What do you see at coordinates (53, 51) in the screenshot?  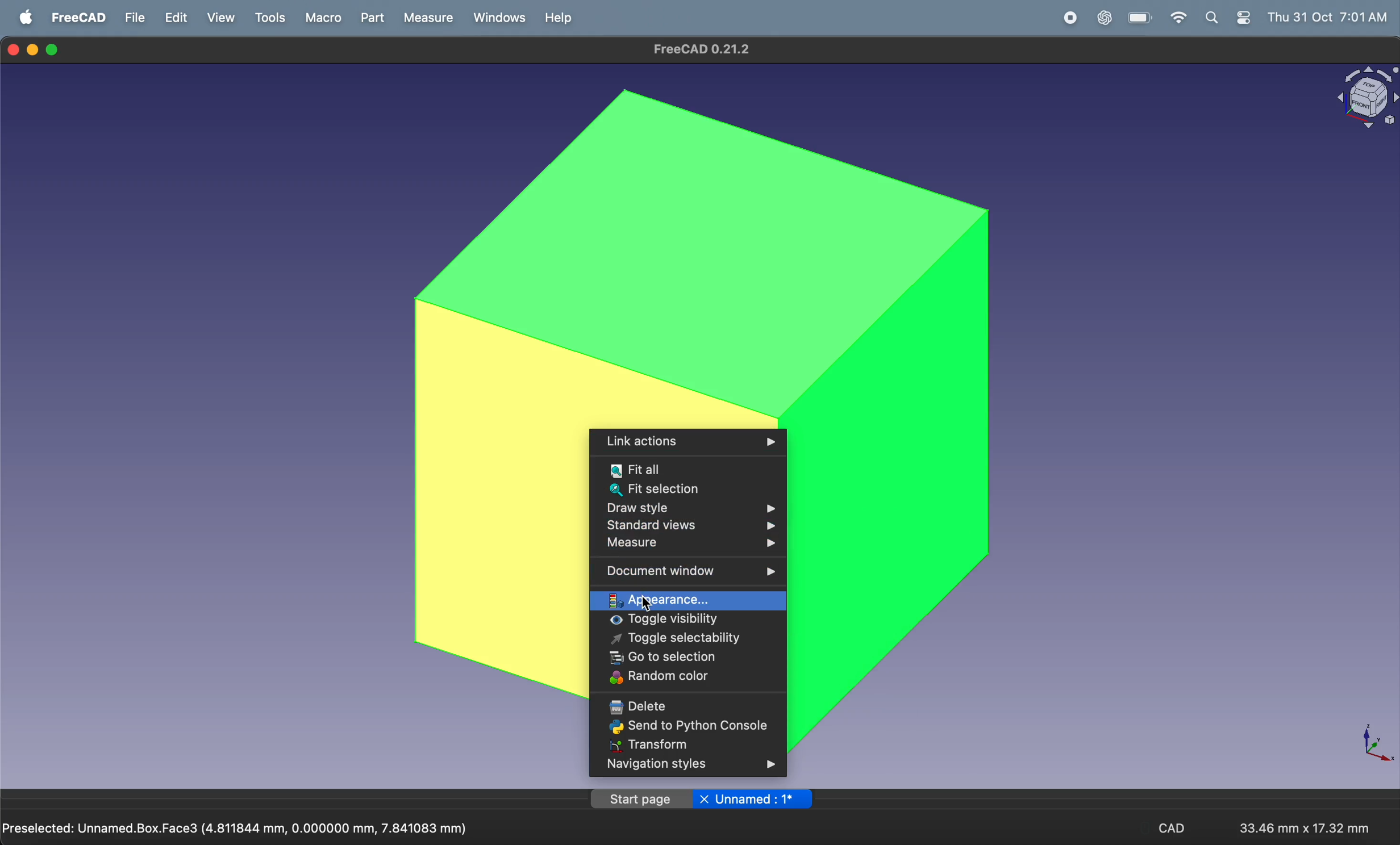 I see `maximize` at bounding box center [53, 51].